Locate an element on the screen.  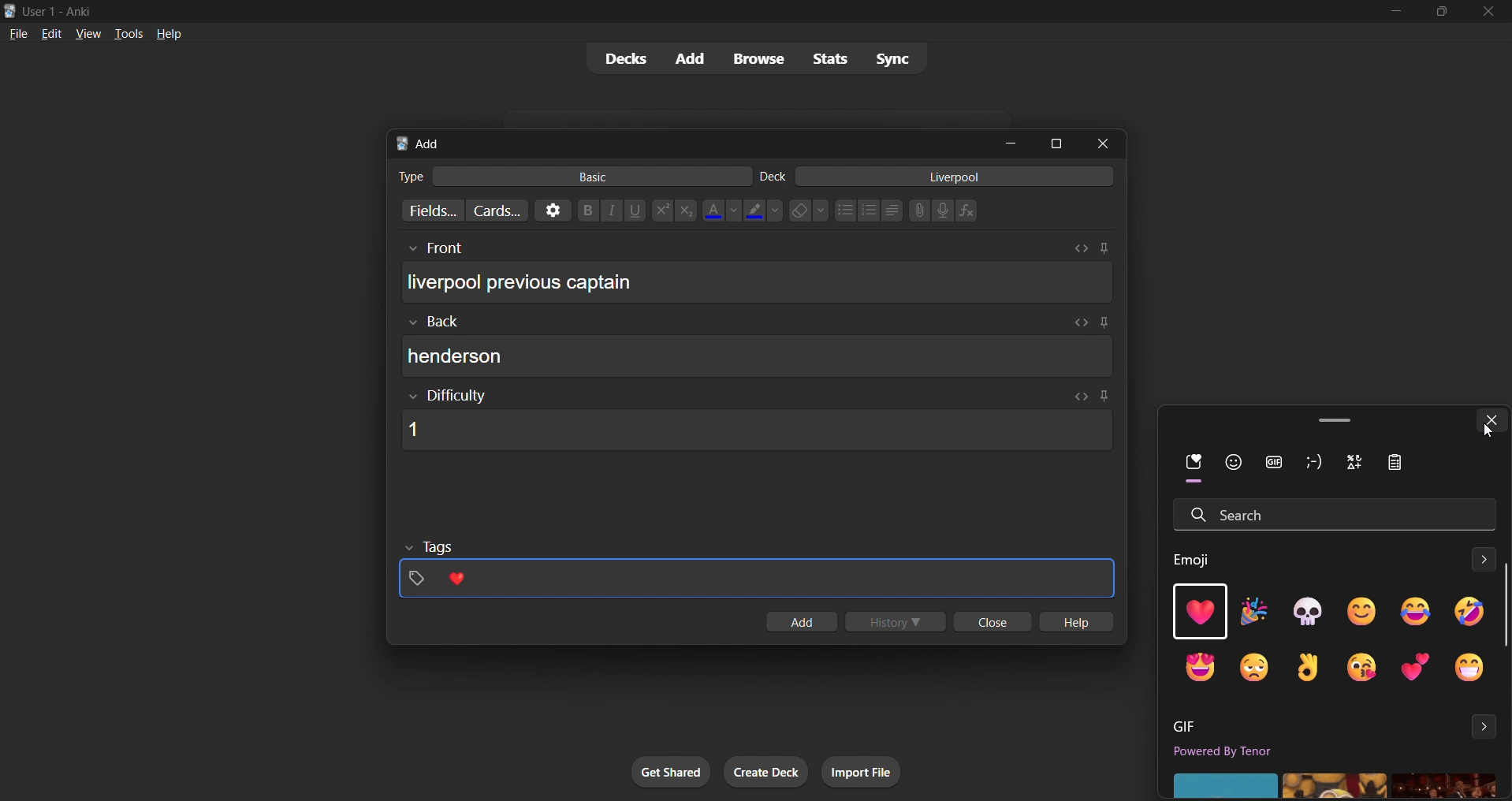
create deck is located at coordinates (767, 773).